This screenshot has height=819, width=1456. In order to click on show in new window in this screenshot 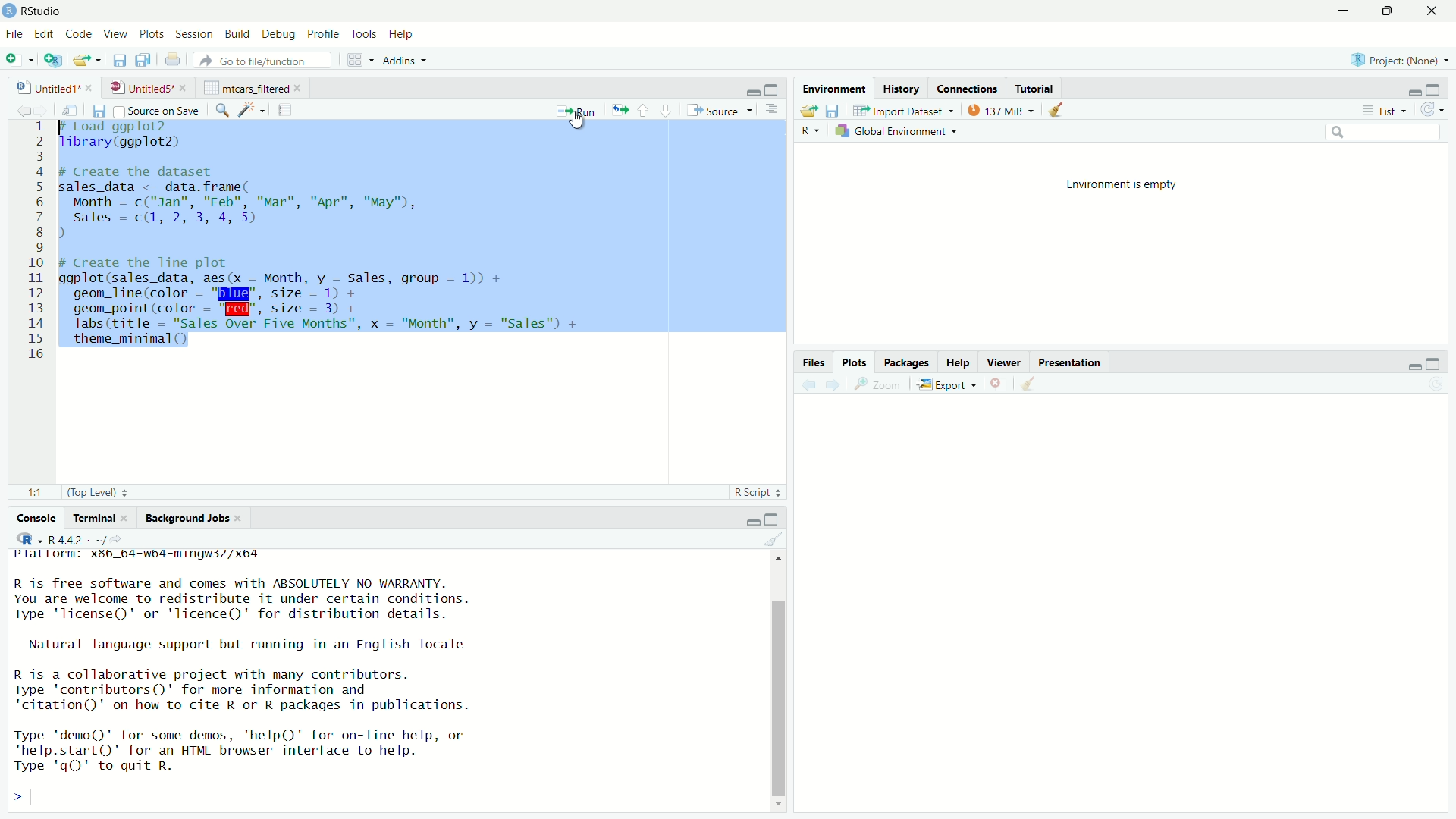, I will do `click(76, 110)`.